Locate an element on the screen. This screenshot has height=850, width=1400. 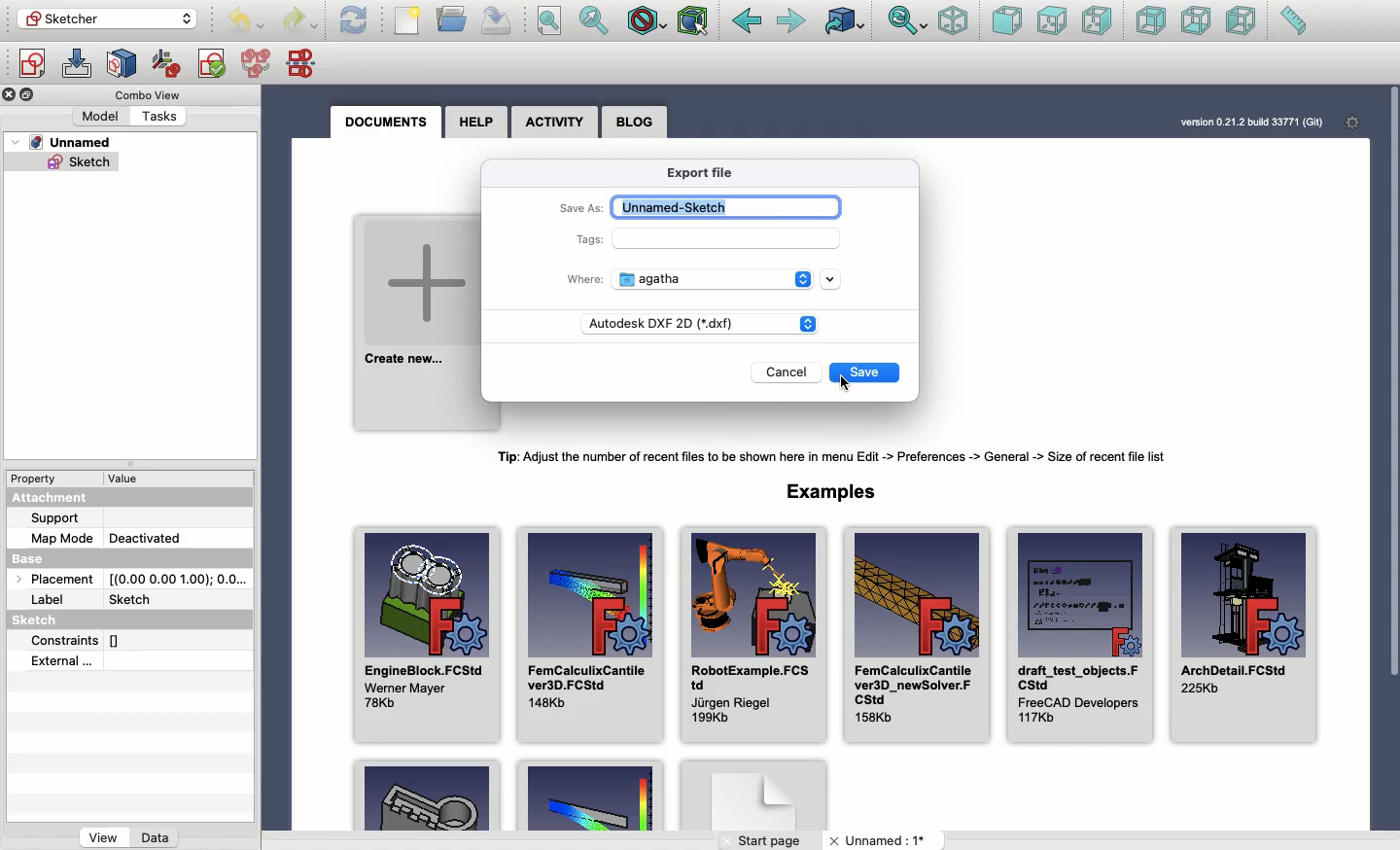
Linked to object is located at coordinates (843, 22).